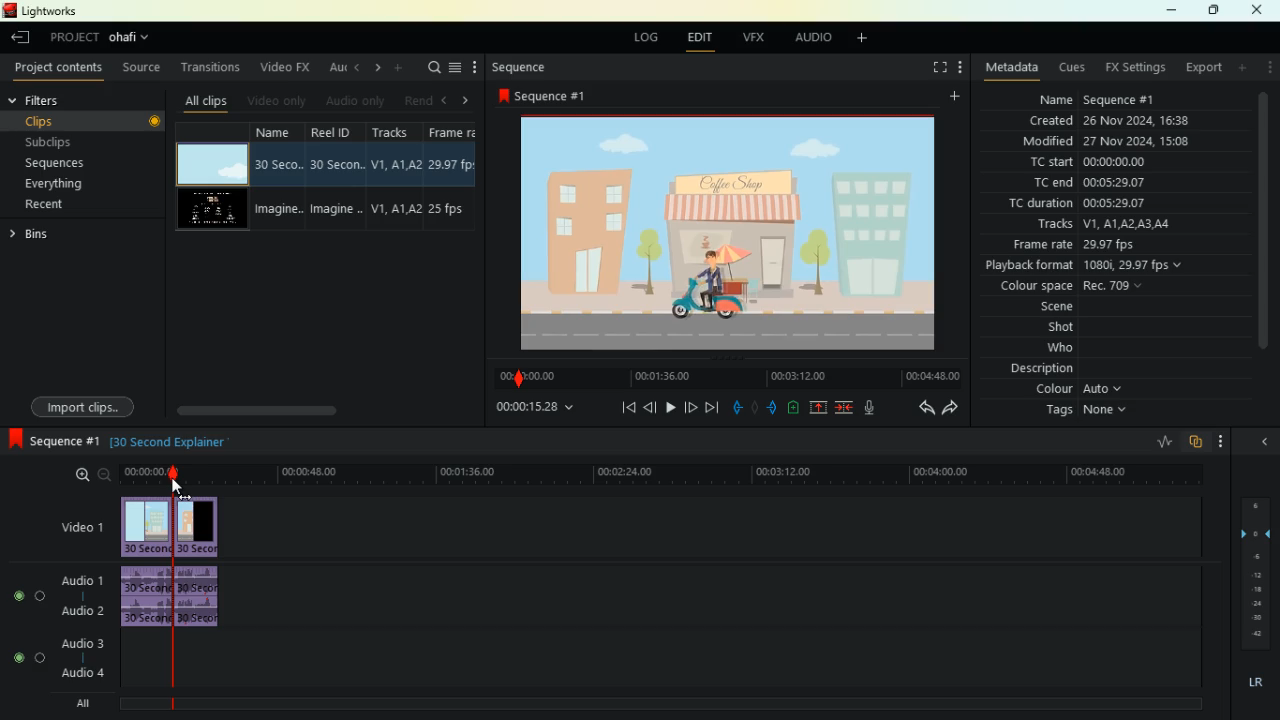 The image size is (1280, 720). I want to click on modified, so click(1051, 140).